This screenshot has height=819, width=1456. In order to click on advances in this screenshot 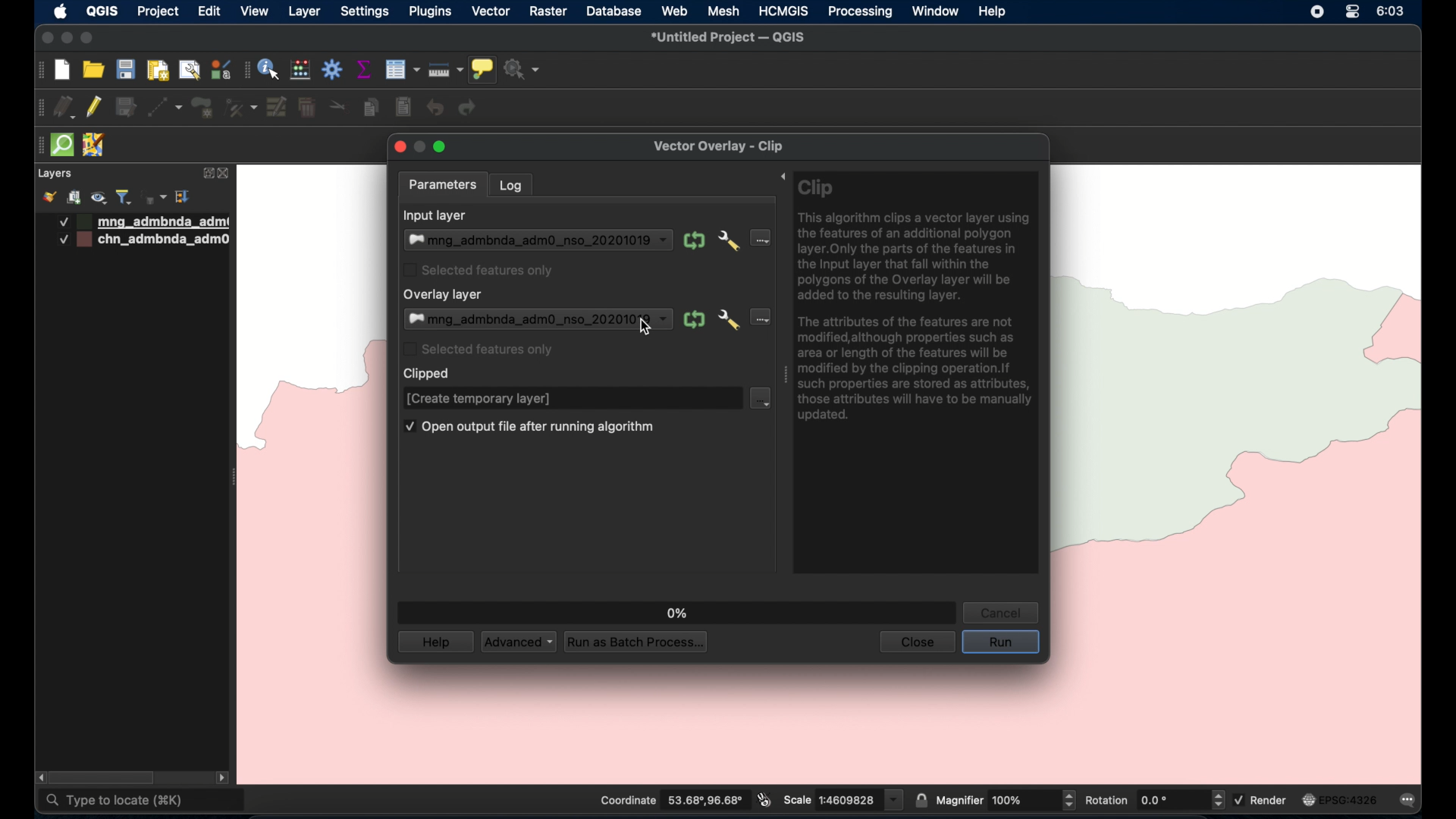, I will do `click(518, 641)`.